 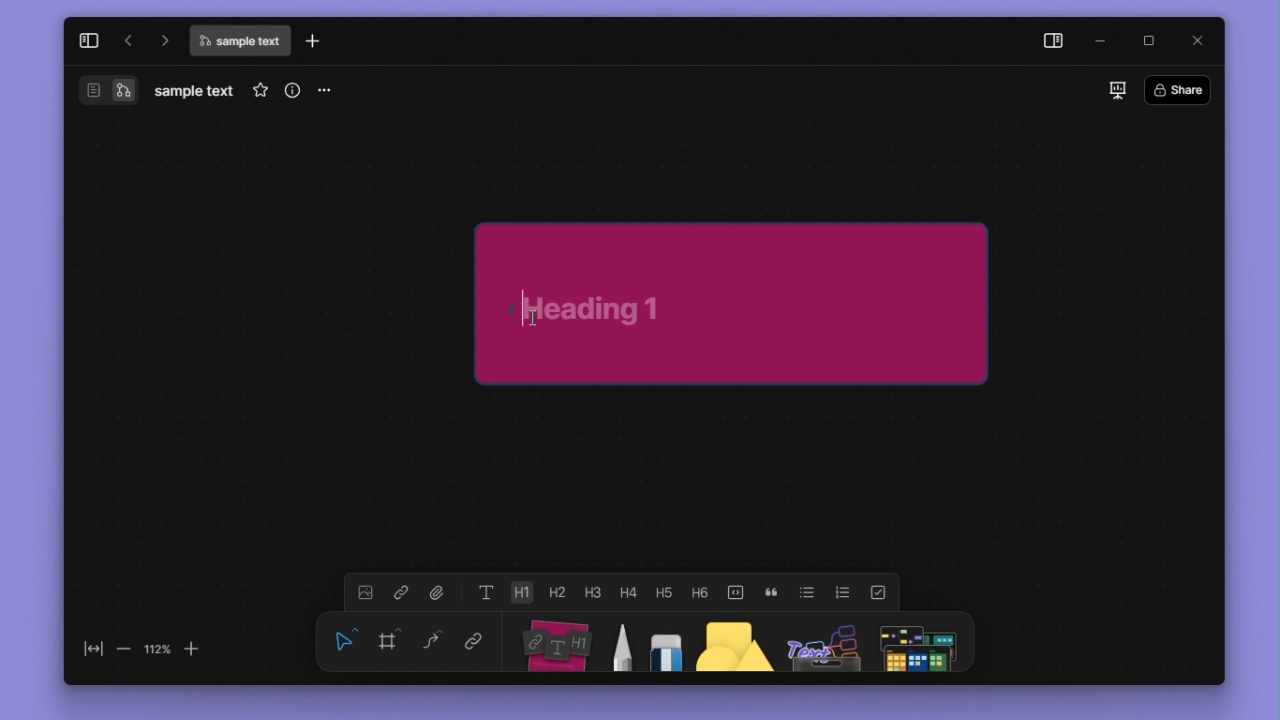 What do you see at coordinates (521, 592) in the screenshot?
I see `Heading 1` at bounding box center [521, 592].